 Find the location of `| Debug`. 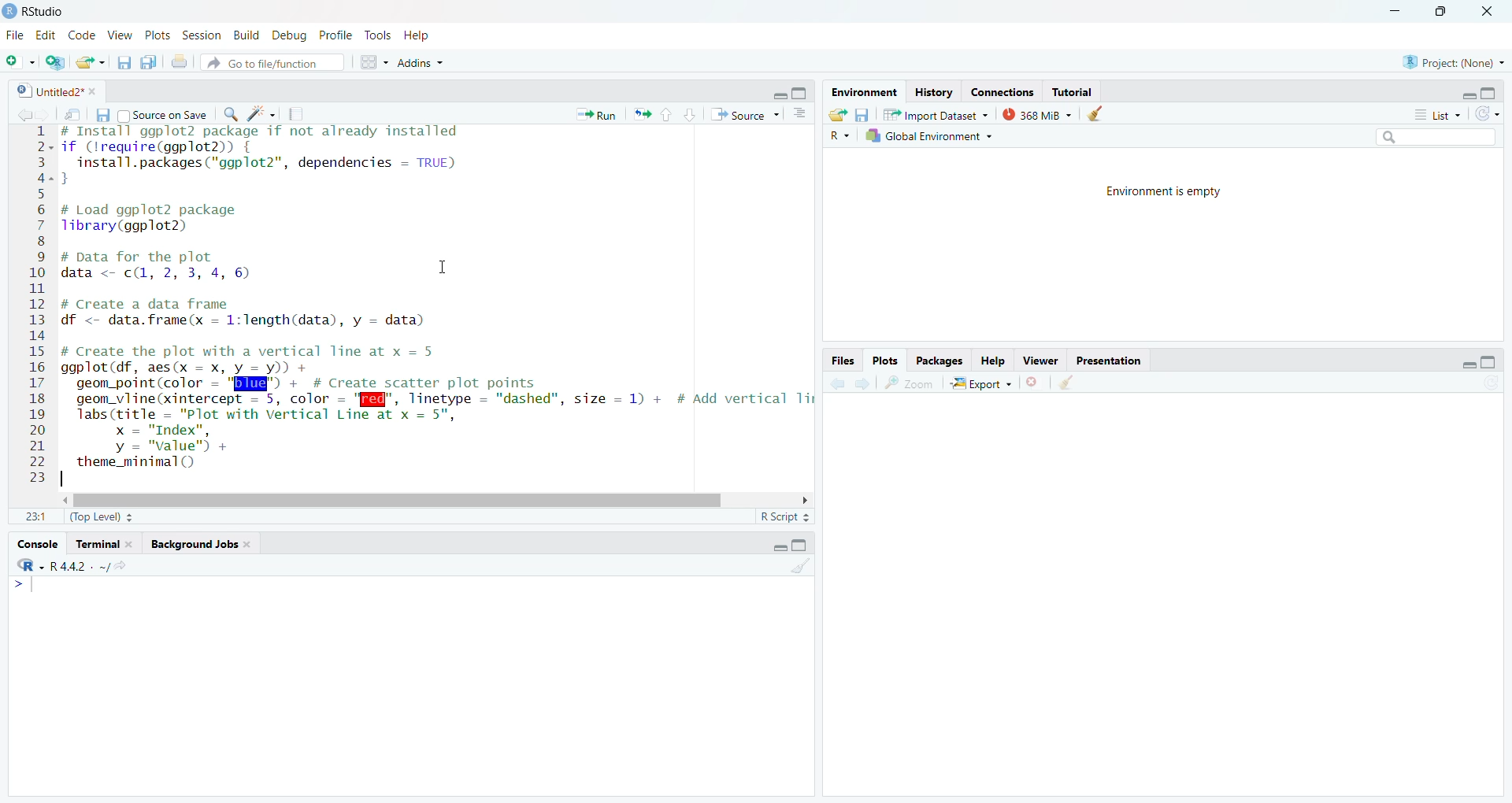

| Debug is located at coordinates (291, 36).